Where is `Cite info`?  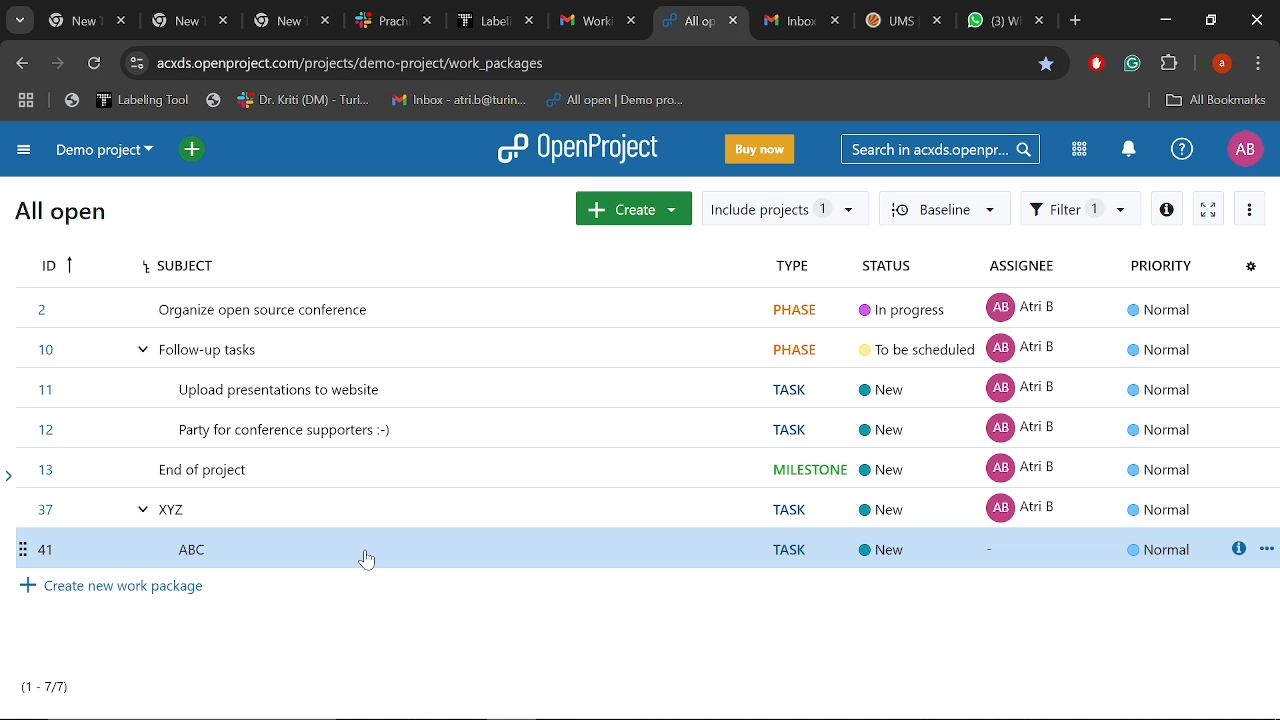 Cite info is located at coordinates (137, 64).